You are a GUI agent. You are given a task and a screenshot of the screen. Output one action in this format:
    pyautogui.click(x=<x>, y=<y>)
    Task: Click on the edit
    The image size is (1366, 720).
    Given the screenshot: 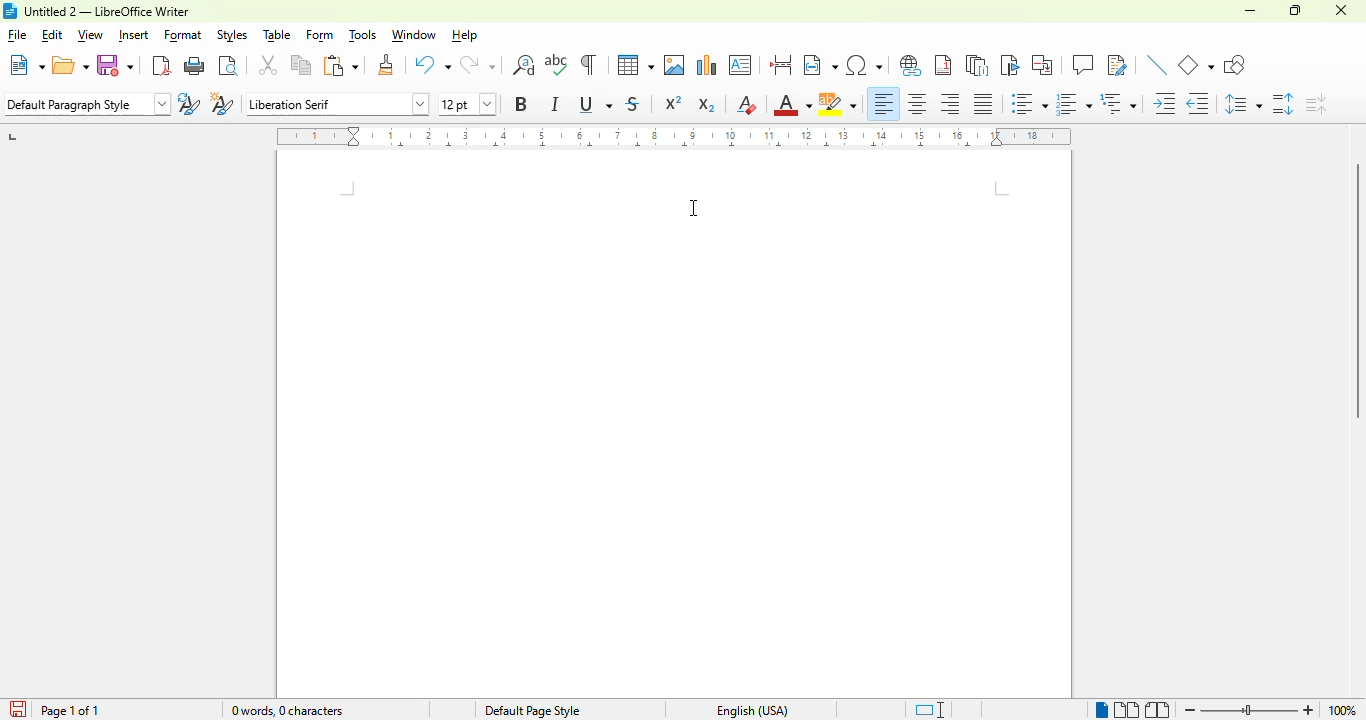 What is the action you would take?
    pyautogui.click(x=52, y=34)
    